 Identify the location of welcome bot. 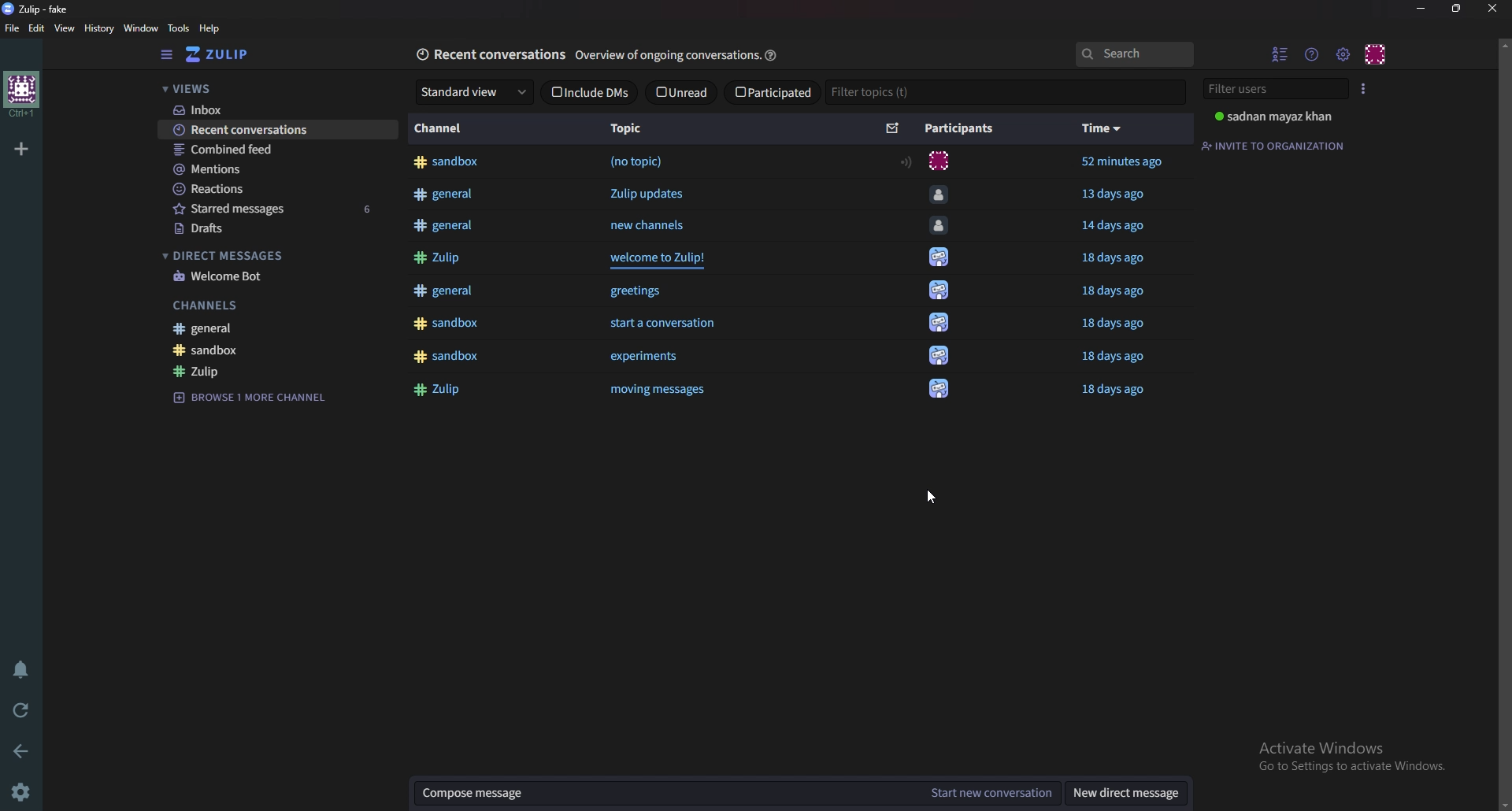
(265, 278).